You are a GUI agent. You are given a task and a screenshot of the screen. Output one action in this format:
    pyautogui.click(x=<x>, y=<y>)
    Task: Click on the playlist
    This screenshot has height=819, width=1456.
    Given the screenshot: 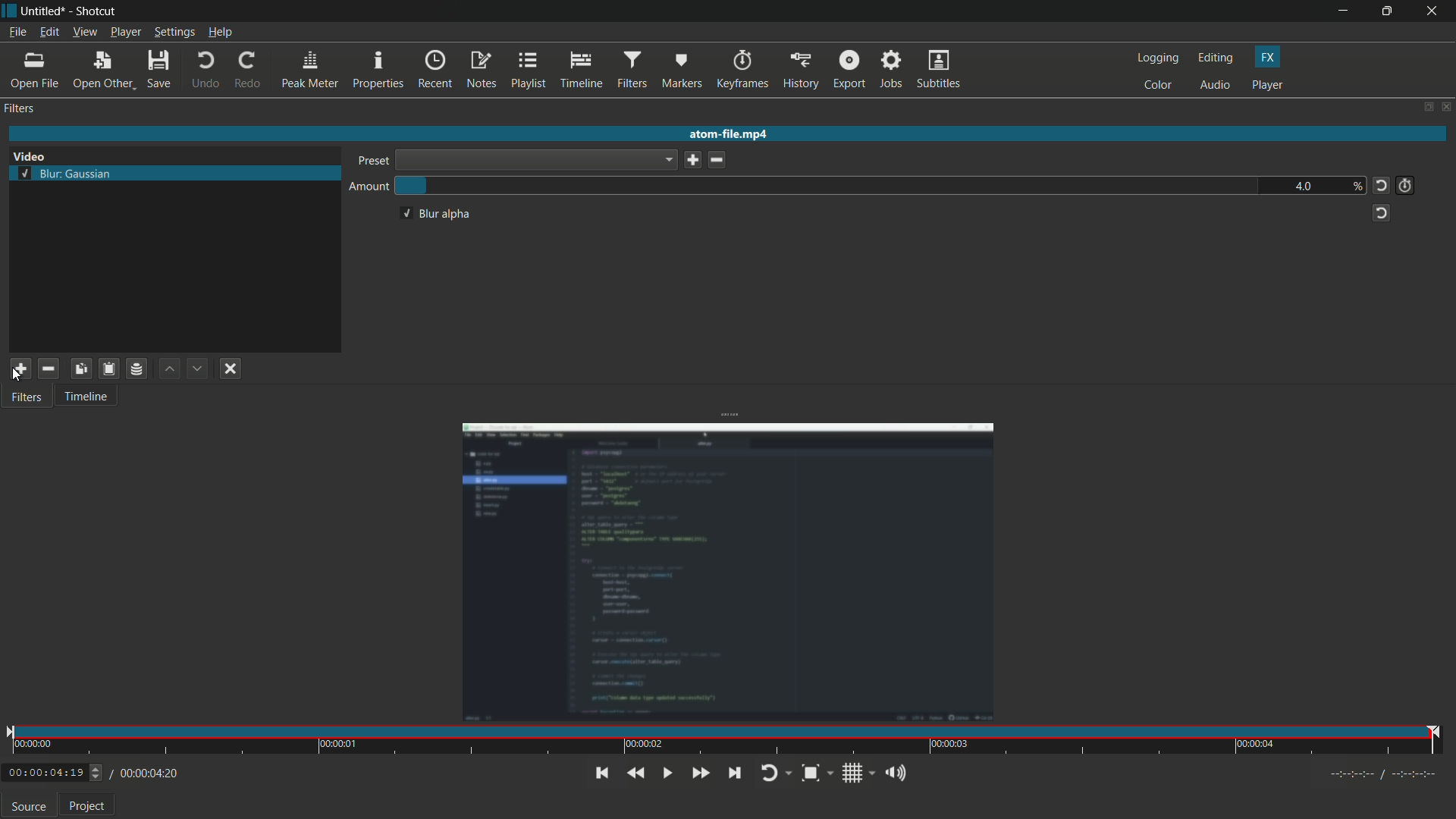 What is the action you would take?
    pyautogui.click(x=527, y=69)
    